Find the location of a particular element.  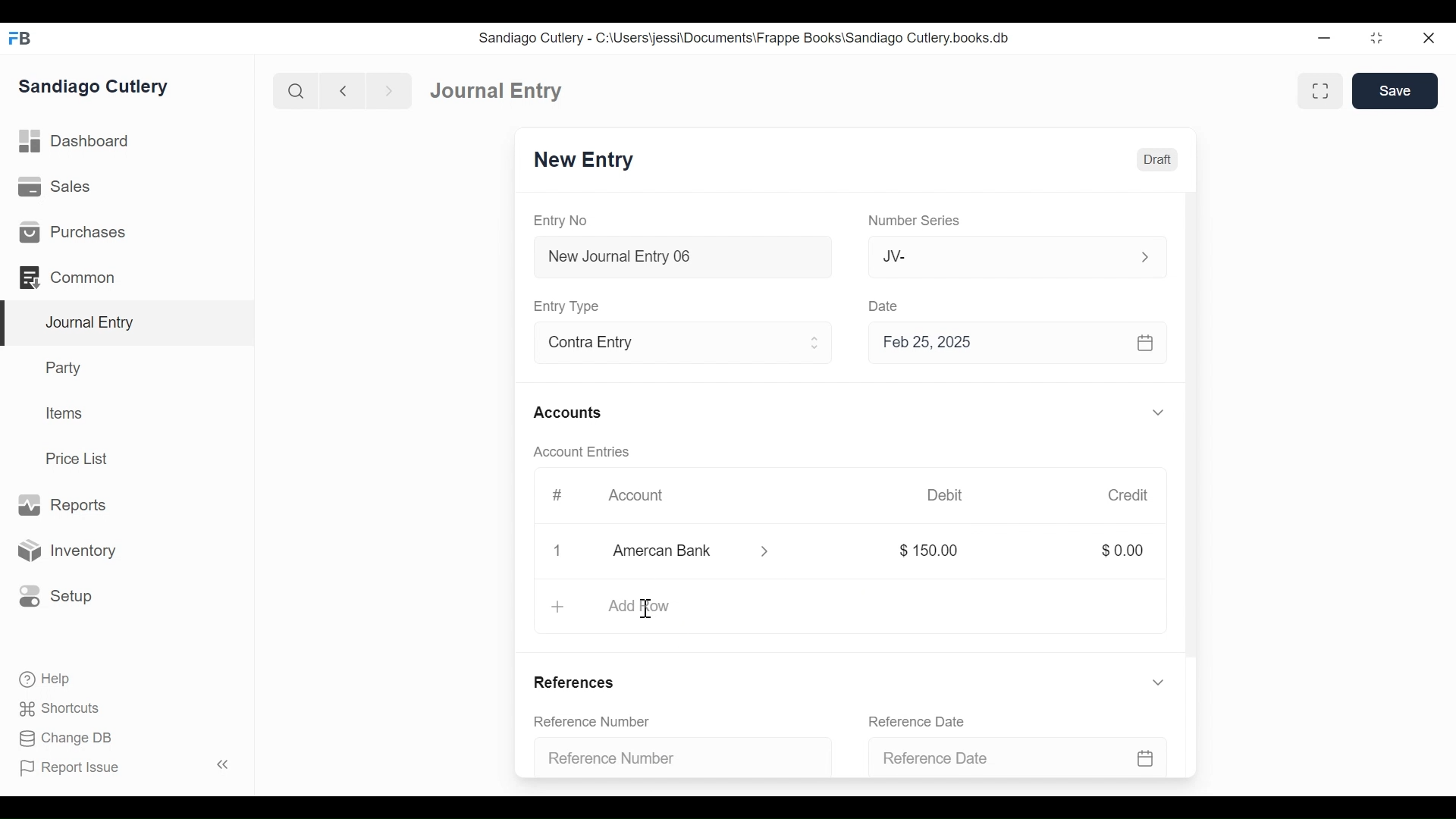

Number Series is located at coordinates (917, 221).